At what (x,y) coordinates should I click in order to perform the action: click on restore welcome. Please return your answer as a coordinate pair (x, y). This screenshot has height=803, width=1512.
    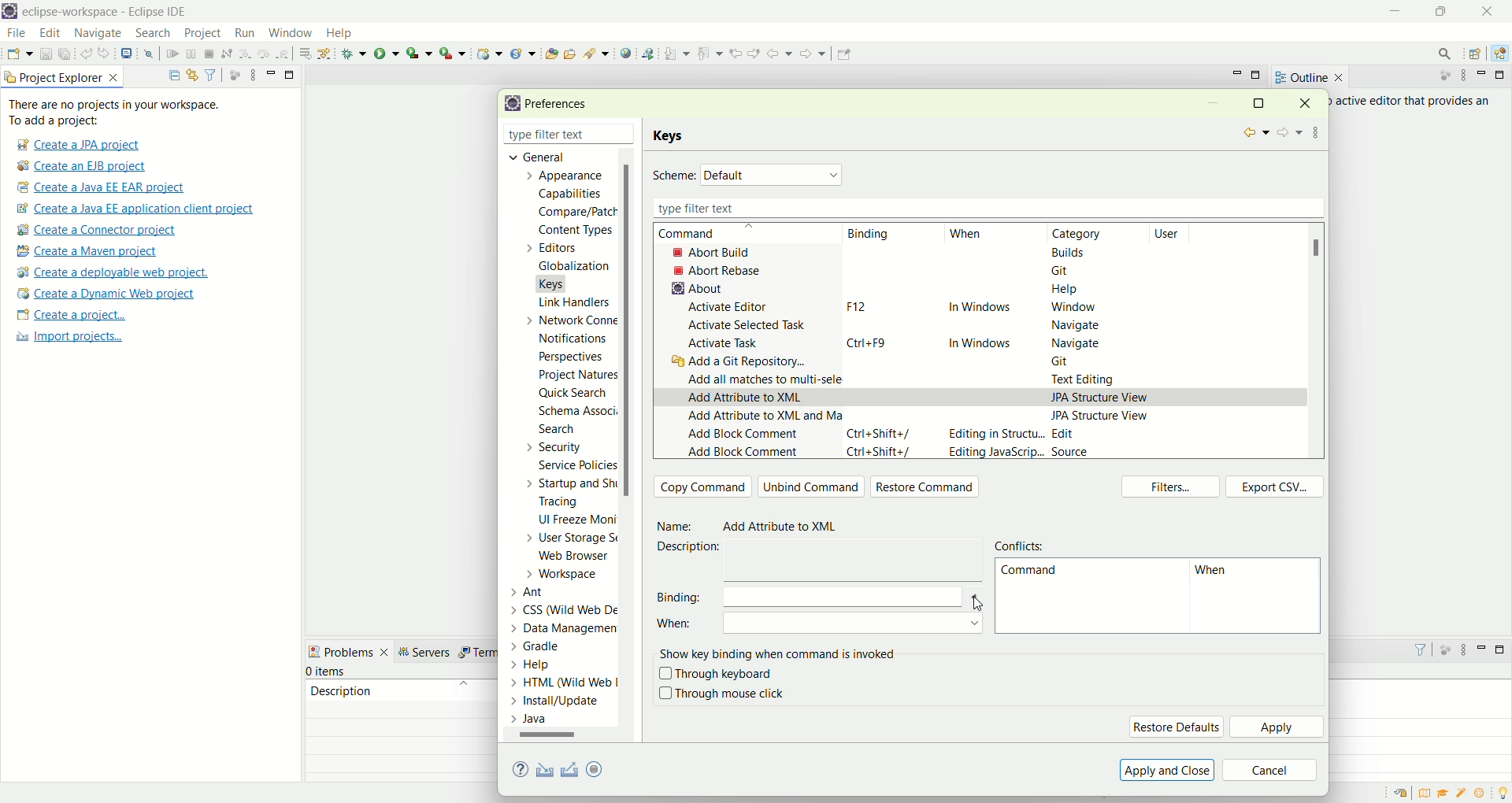
    Looking at the image, I should click on (1404, 794).